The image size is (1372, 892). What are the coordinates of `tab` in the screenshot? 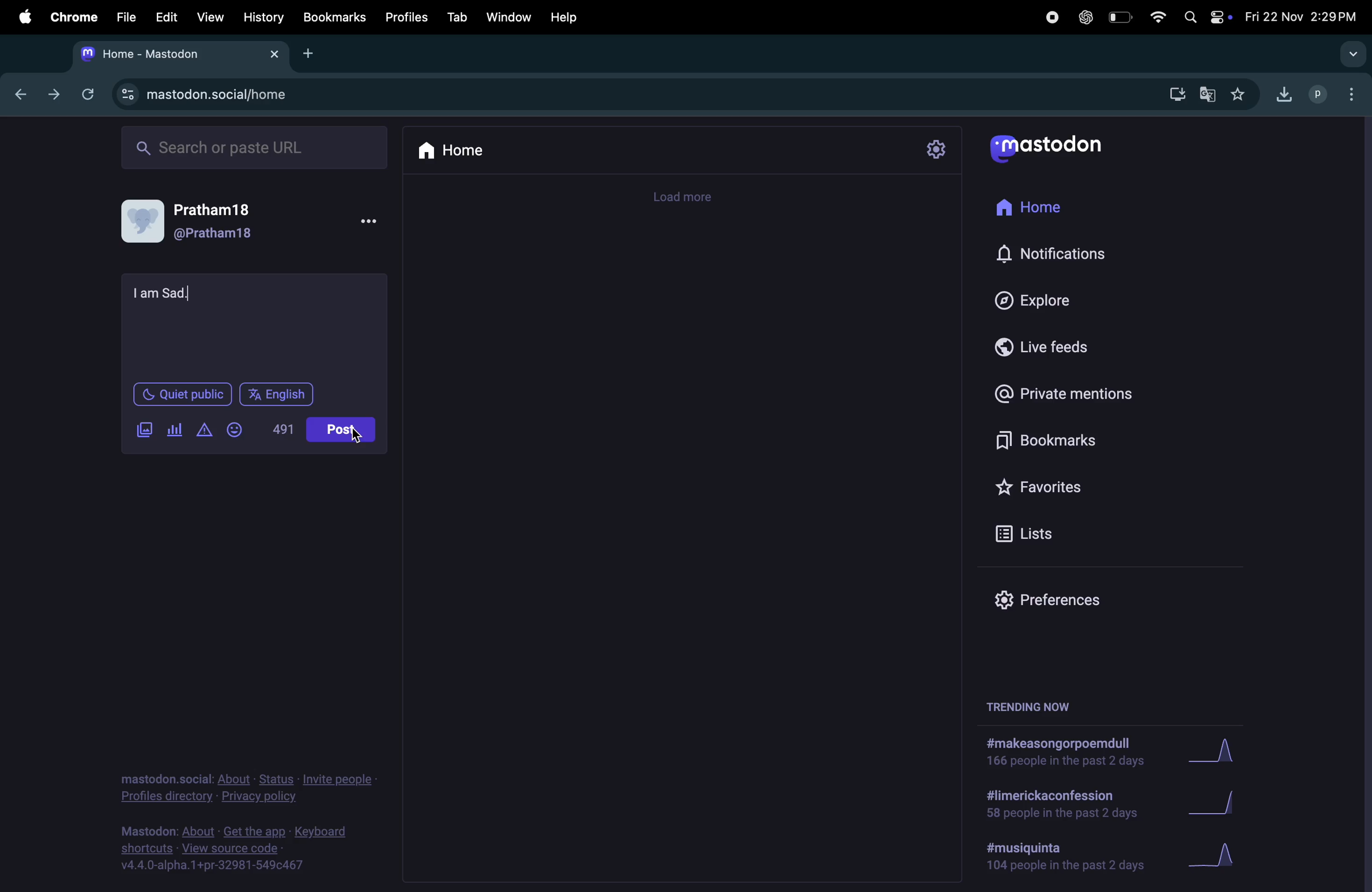 It's located at (455, 16).